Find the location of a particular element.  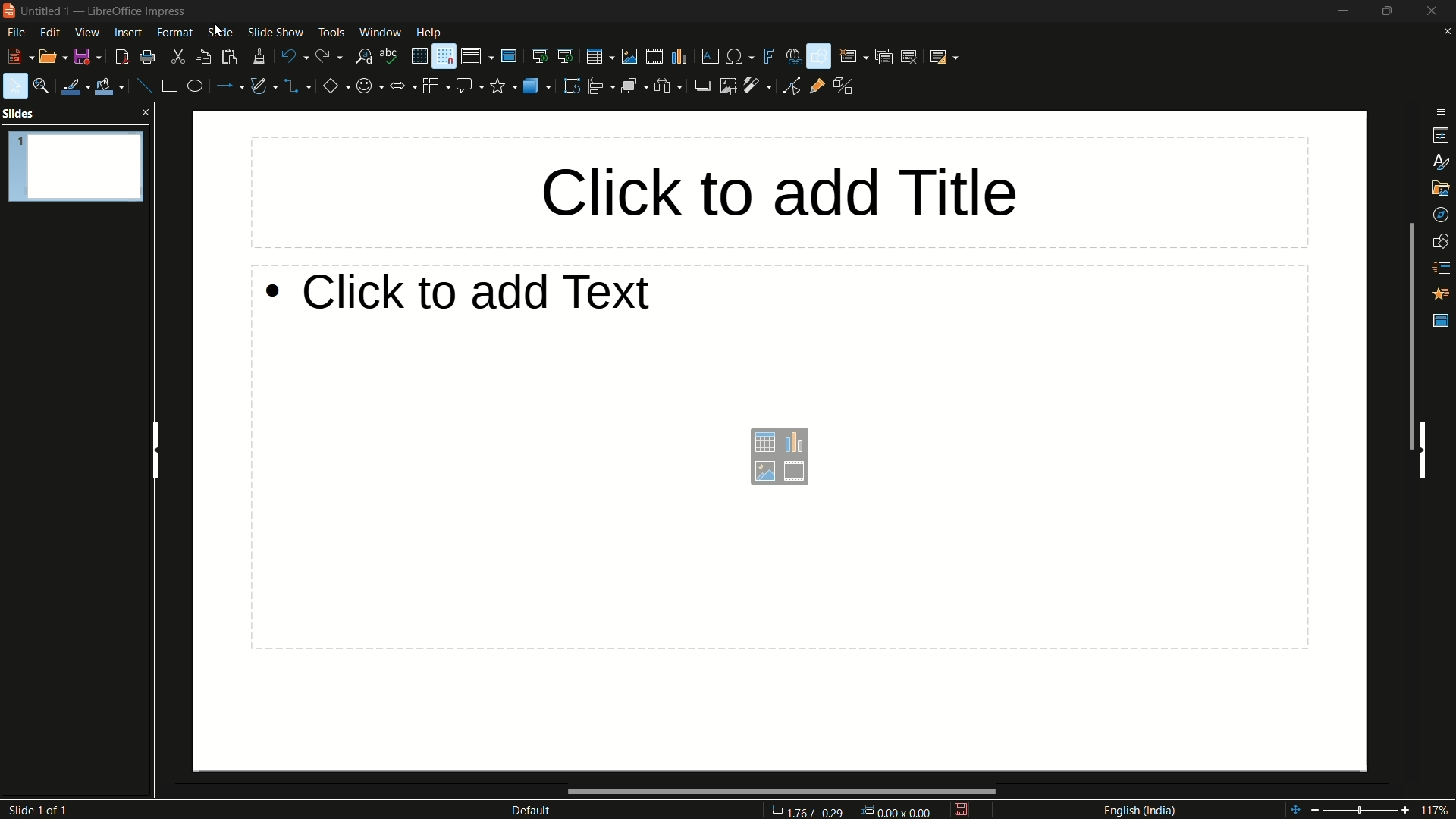

scroll bar is located at coordinates (1411, 337).